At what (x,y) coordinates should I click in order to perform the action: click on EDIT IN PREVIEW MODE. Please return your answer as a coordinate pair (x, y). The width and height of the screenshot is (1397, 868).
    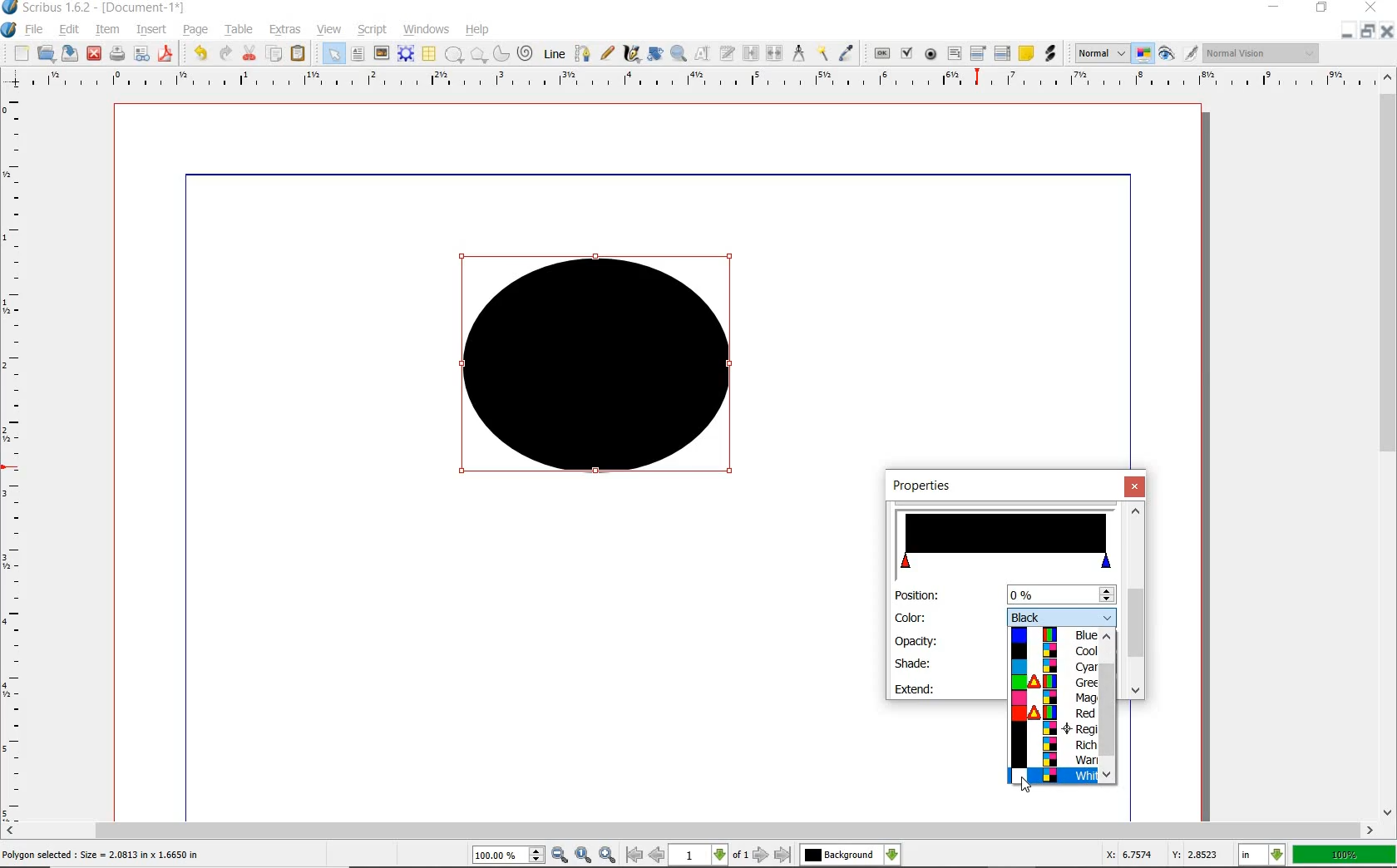
    Looking at the image, I should click on (1190, 52).